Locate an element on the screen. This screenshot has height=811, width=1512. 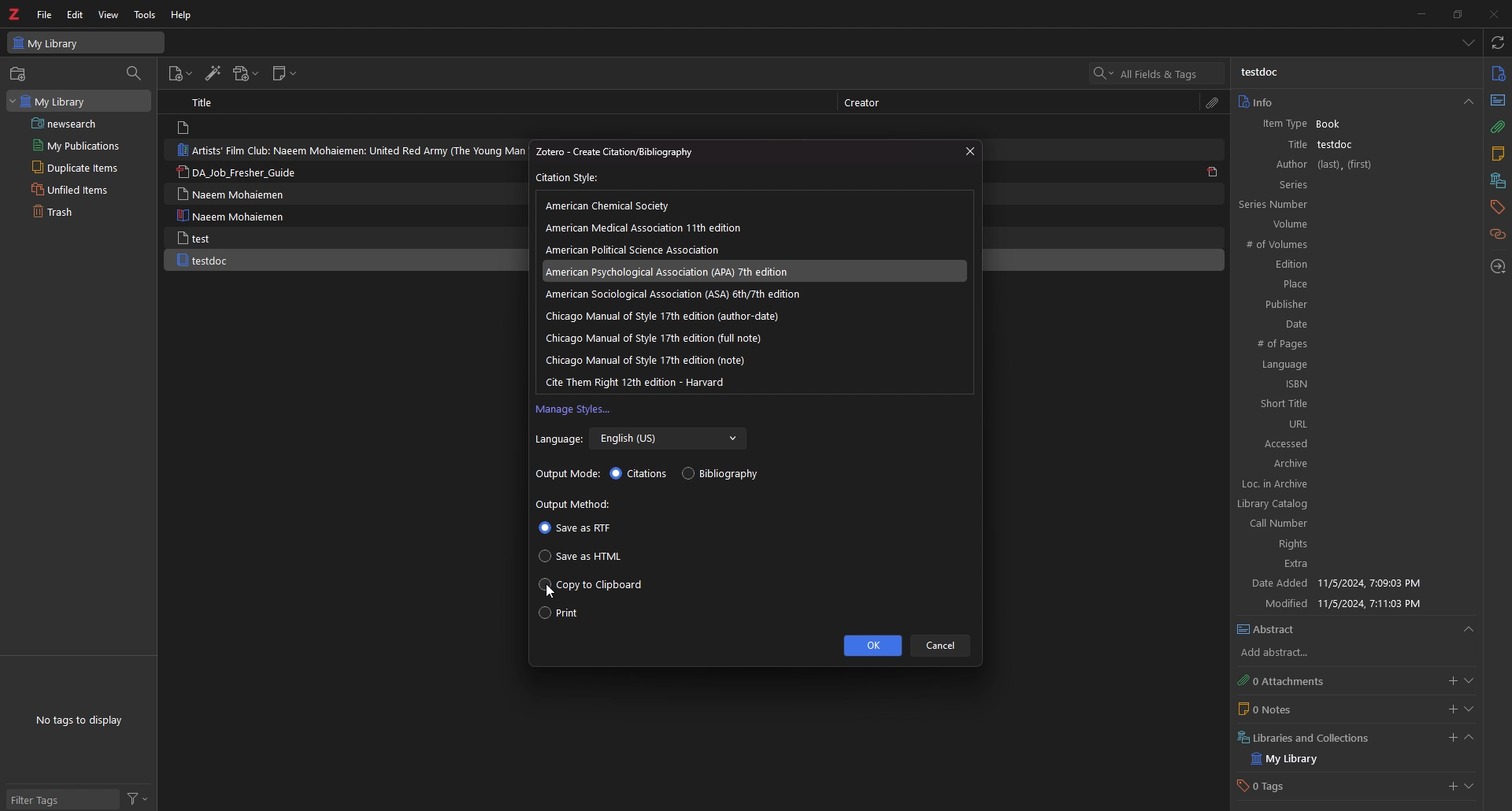
chicago manual of style note is located at coordinates (647, 360).